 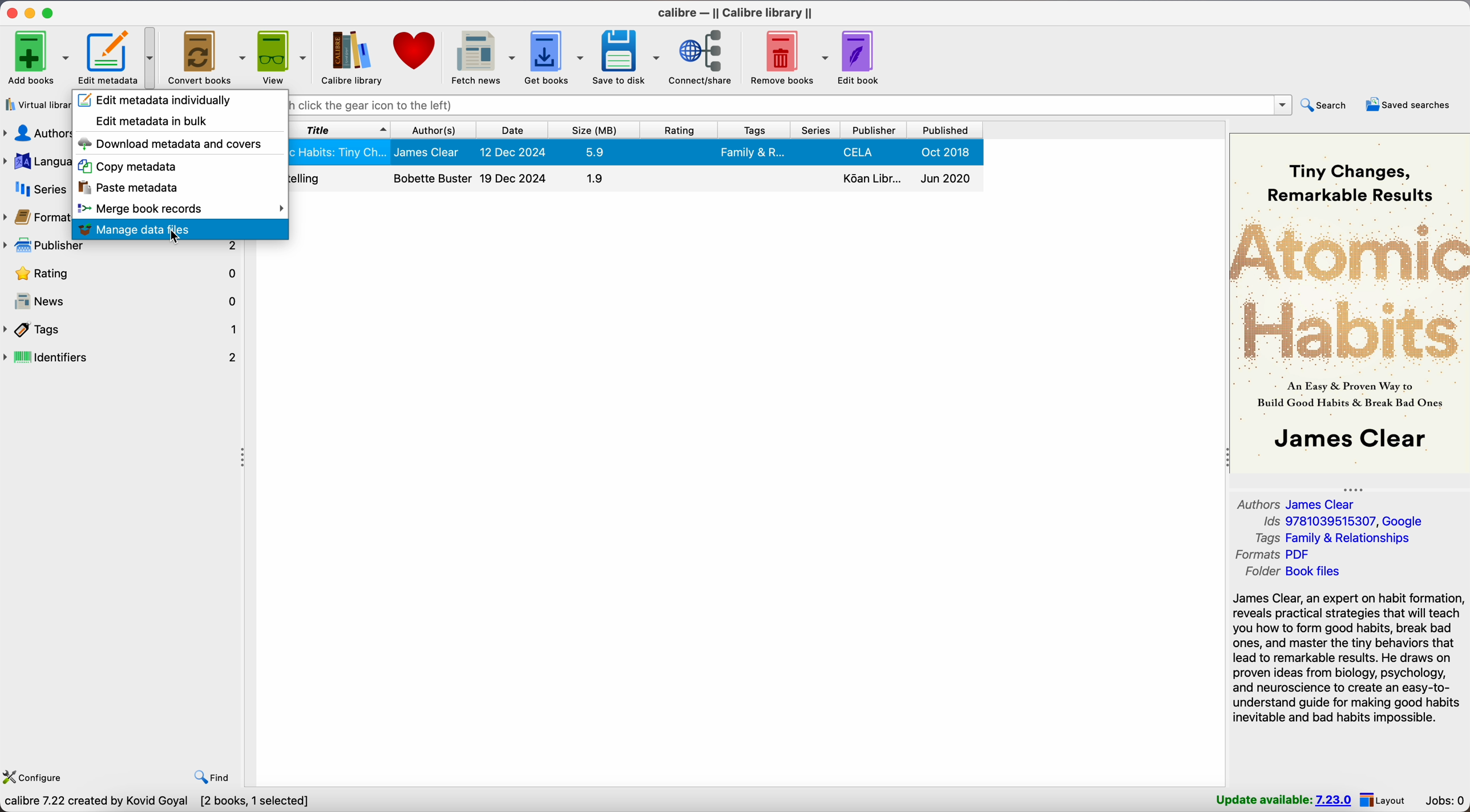 I want to click on cursor, so click(x=176, y=237).